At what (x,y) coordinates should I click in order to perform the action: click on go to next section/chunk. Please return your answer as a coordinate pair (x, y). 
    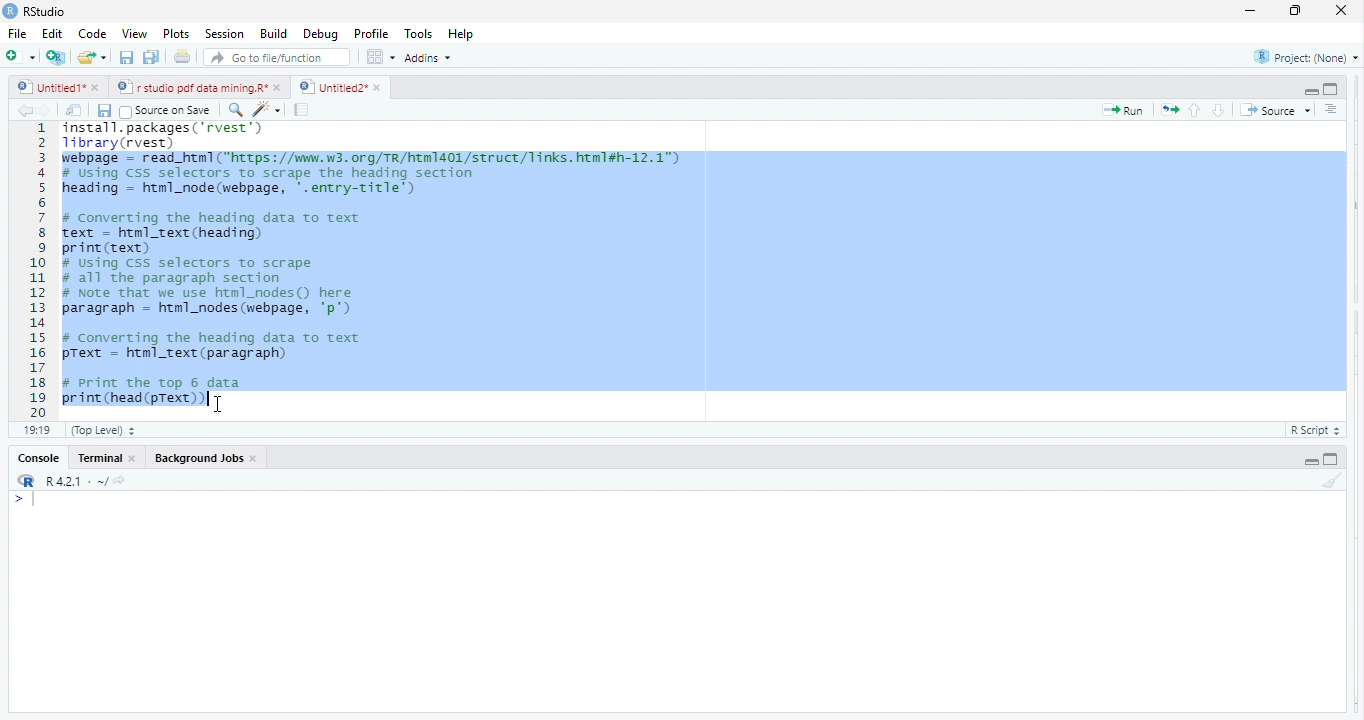
    Looking at the image, I should click on (1220, 110).